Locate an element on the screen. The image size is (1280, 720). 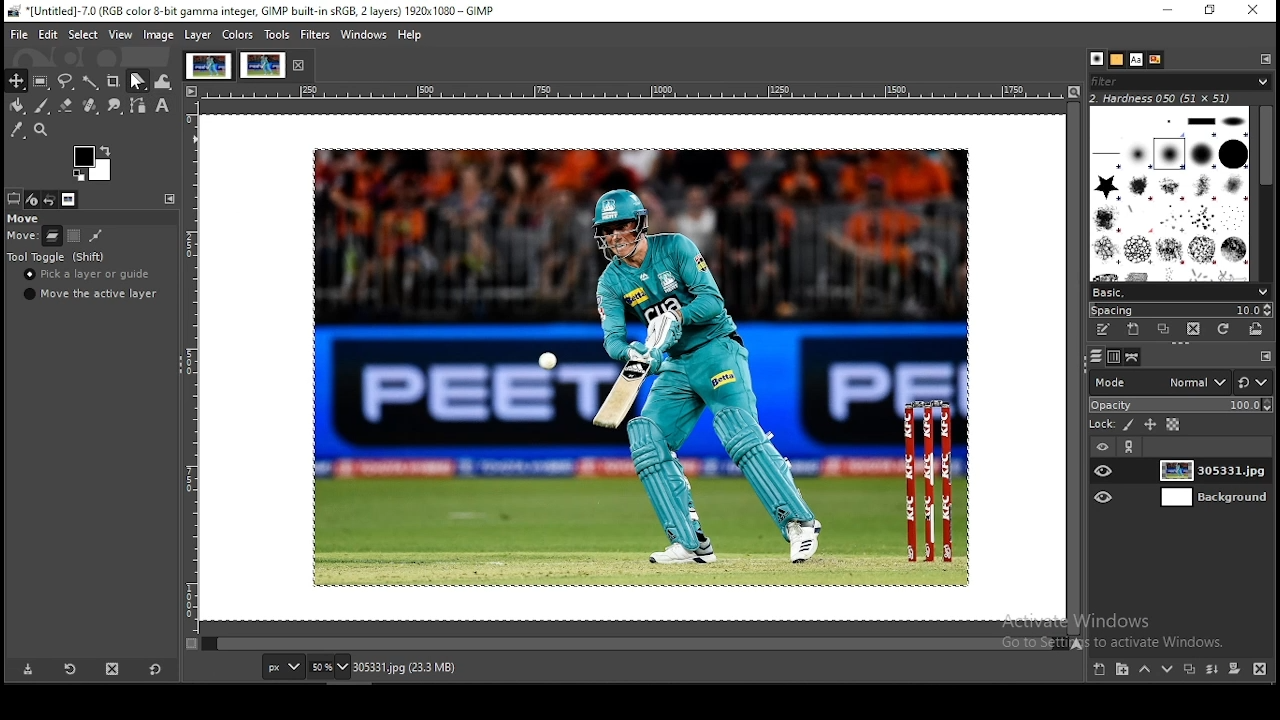
move is located at coordinates (26, 219).